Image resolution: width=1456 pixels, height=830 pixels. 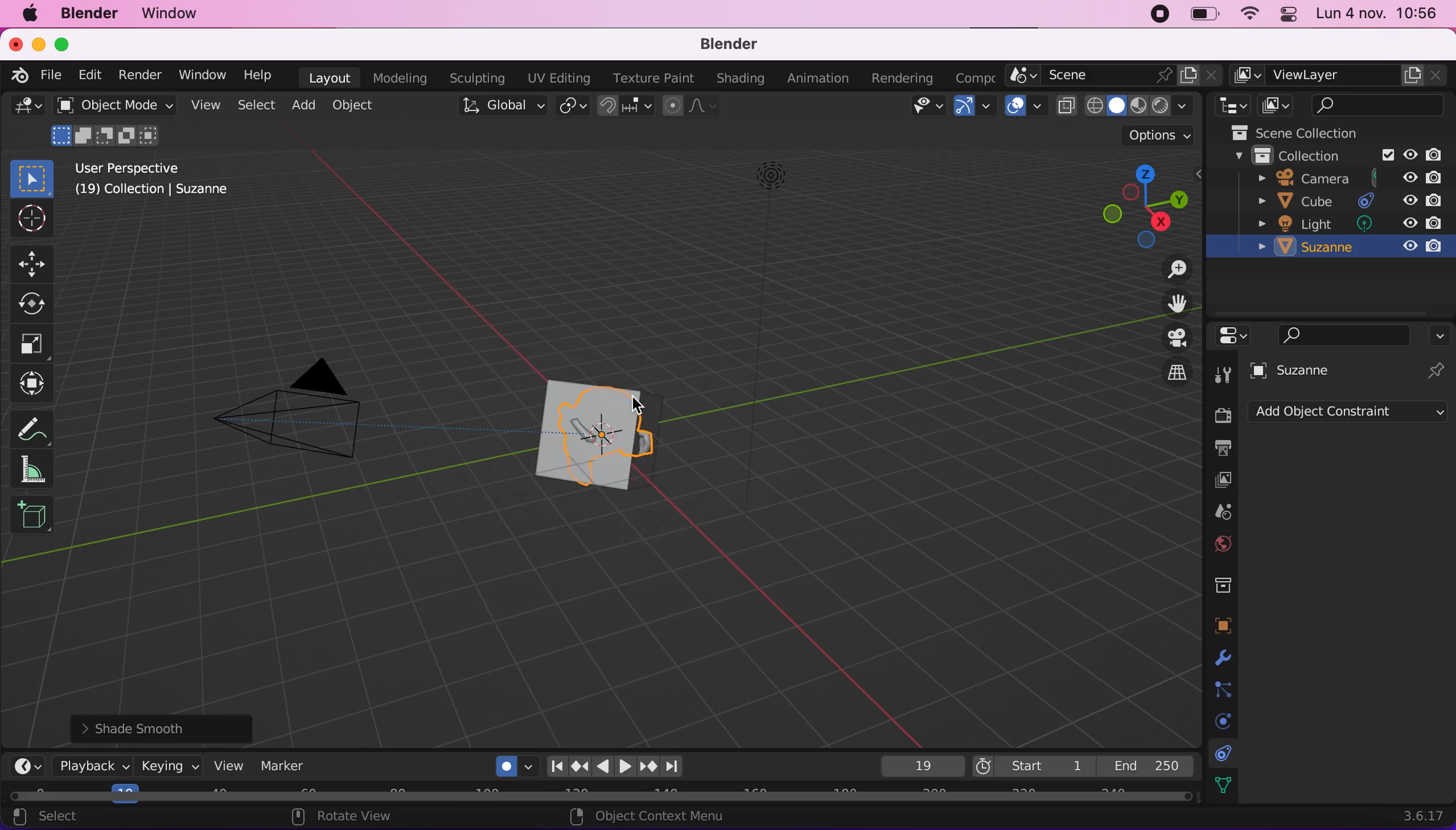 What do you see at coordinates (1160, 107) in the screenshot?
I see `rendered display` at bounding box center [1160, 107].